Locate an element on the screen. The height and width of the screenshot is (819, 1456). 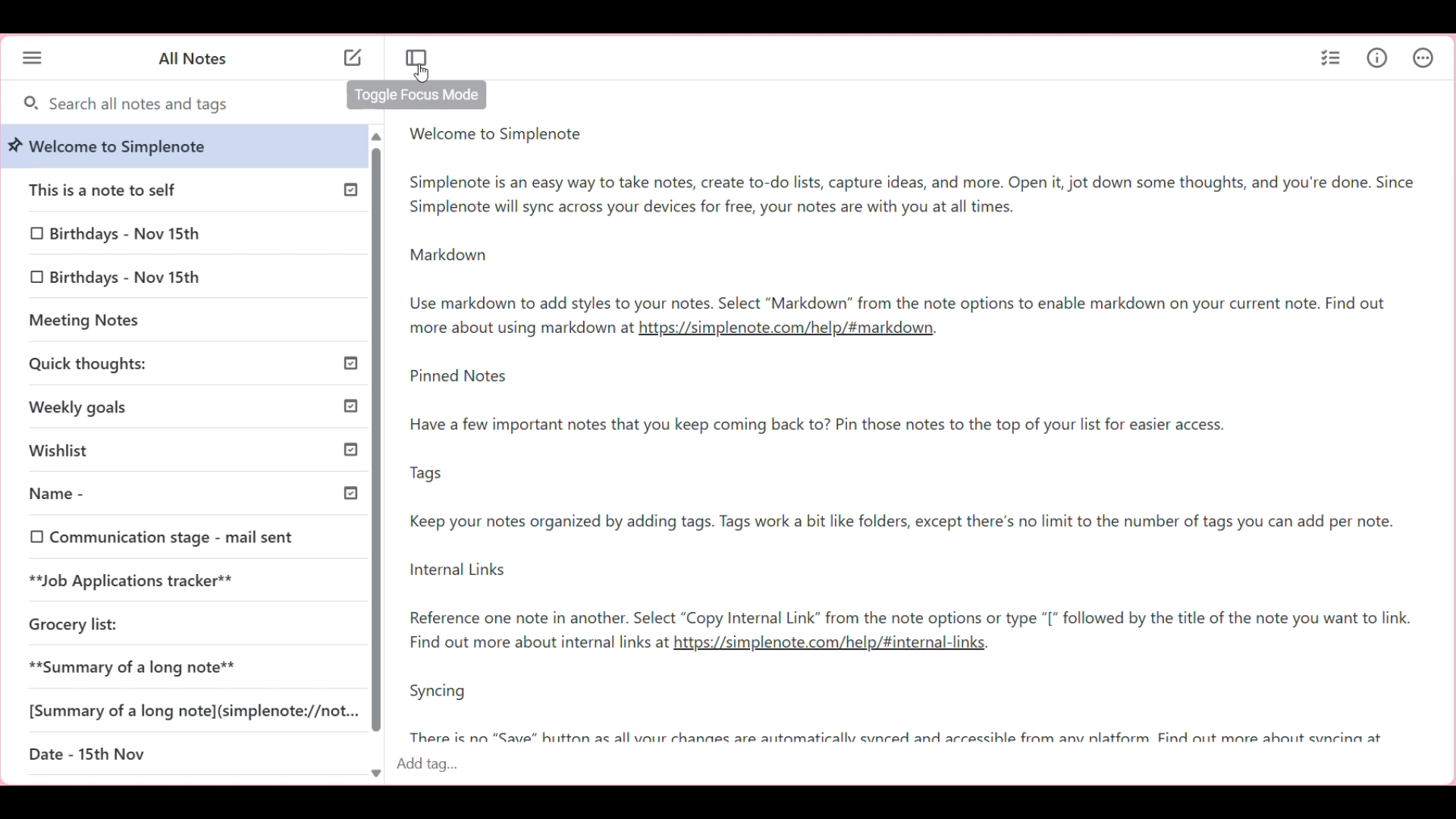
click to type in tags is located at coordinates (916, 769).